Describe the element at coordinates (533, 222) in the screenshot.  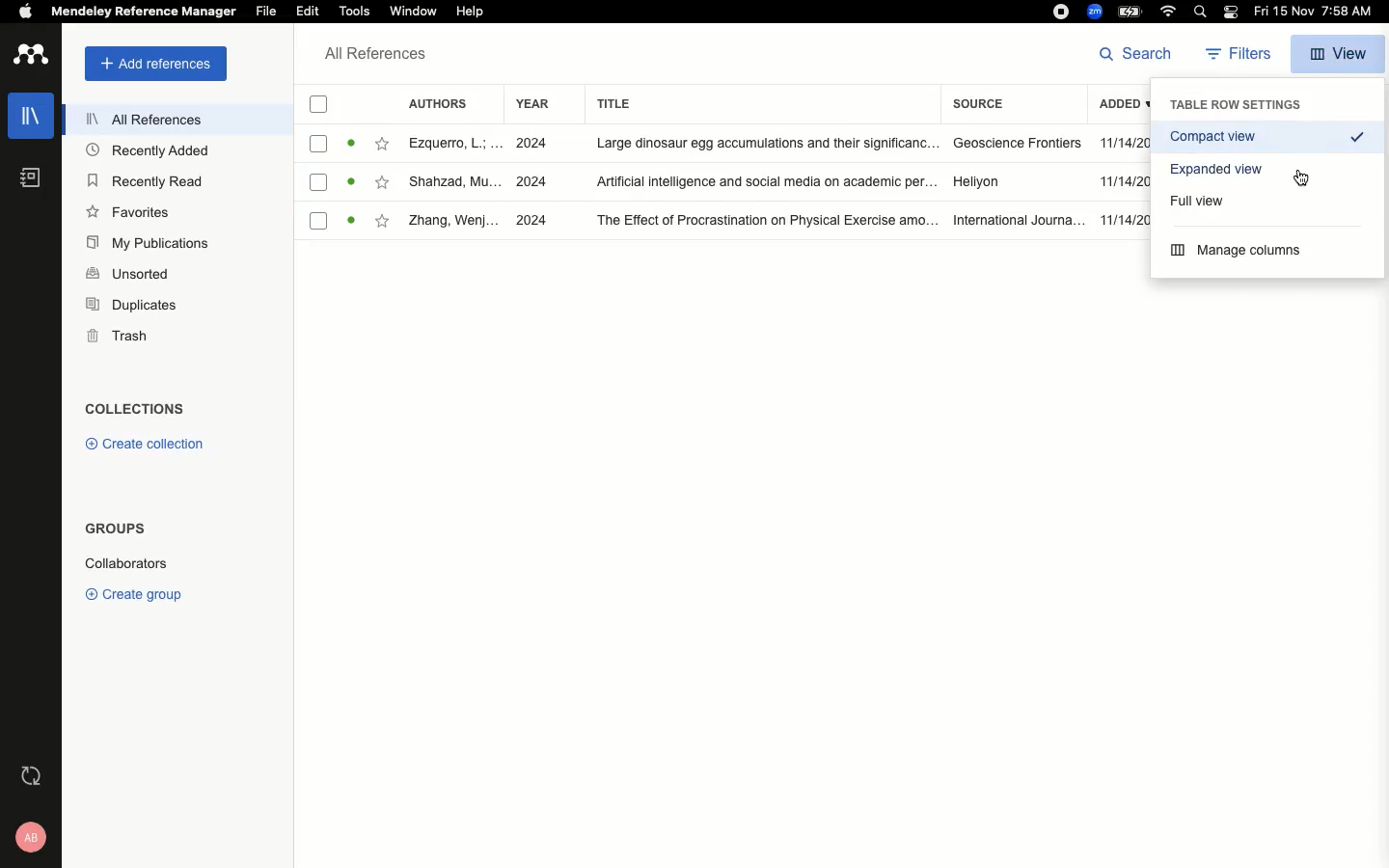
I see `2024` at that location.